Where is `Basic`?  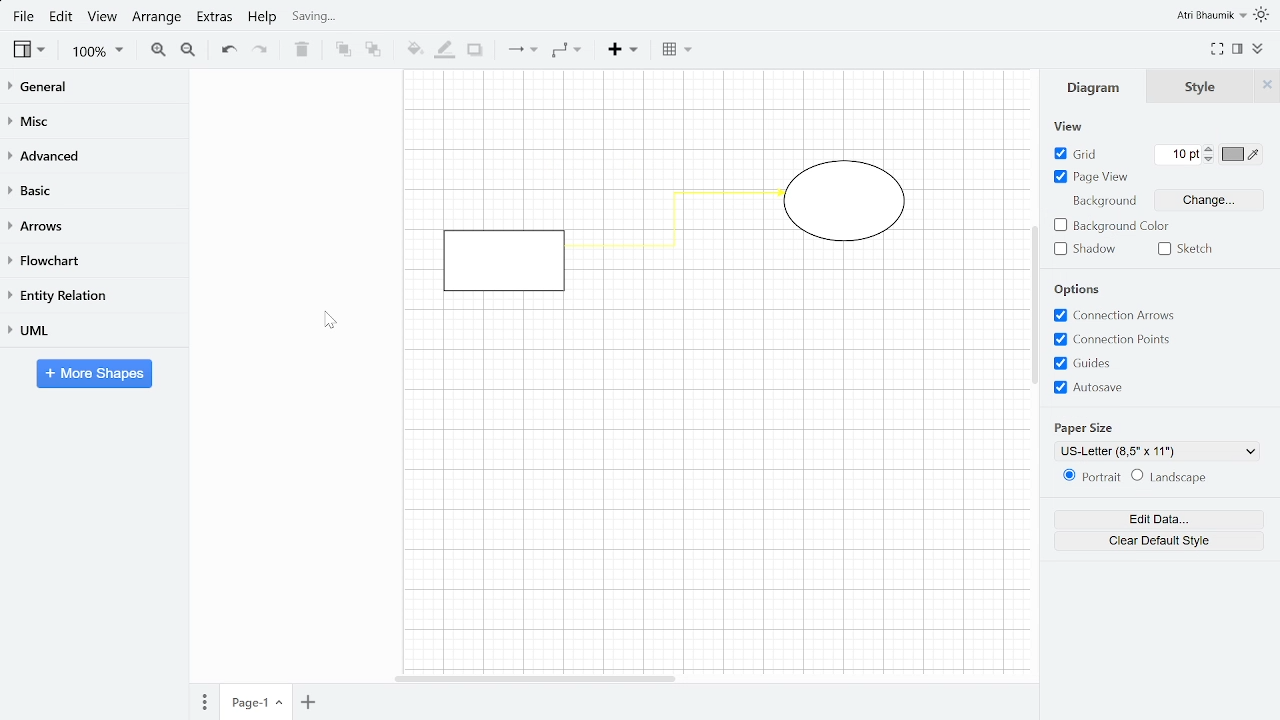 Basic is located at coordinates (93, 189).